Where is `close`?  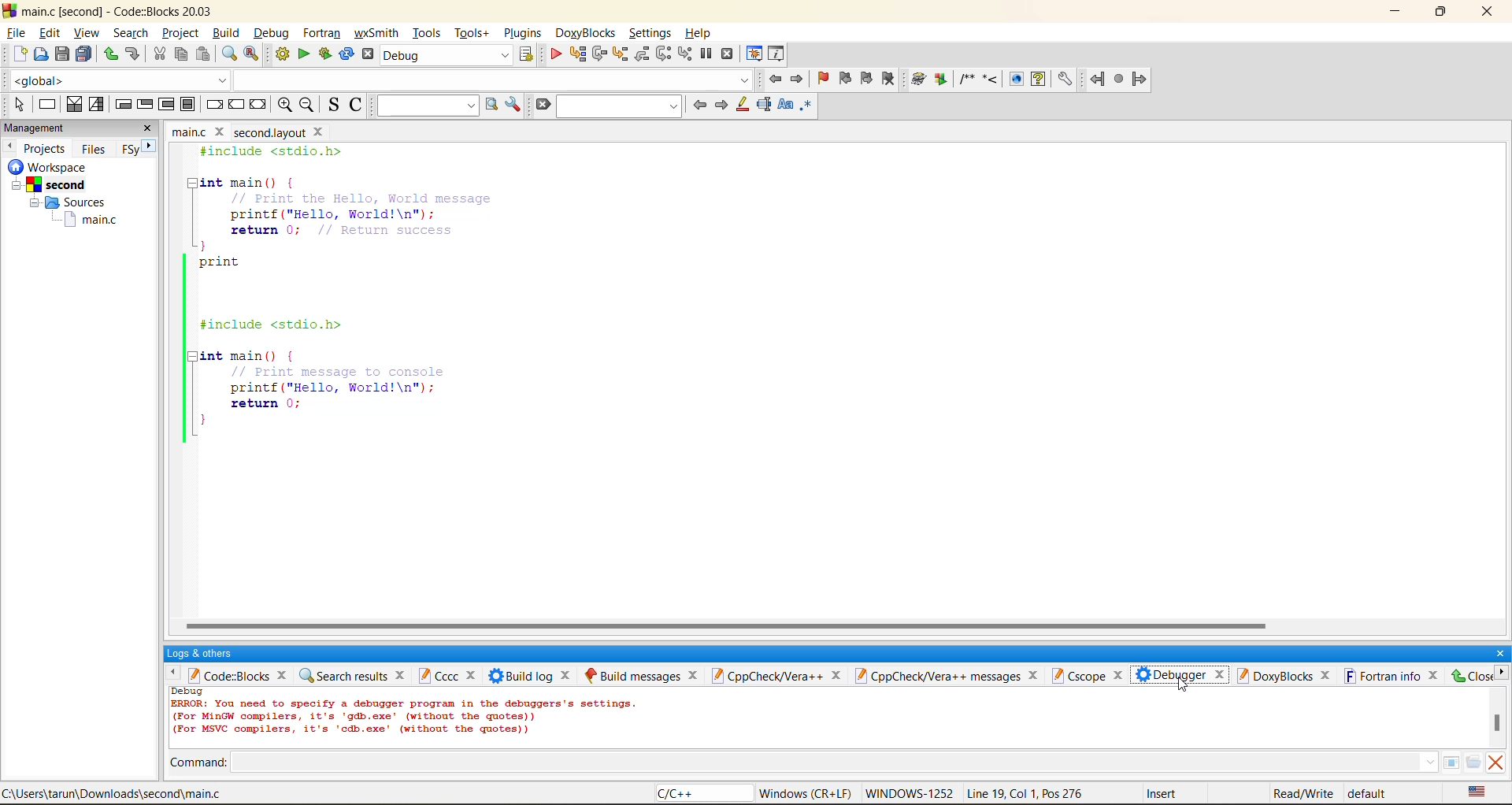 close is located at coordinates (150, 128).